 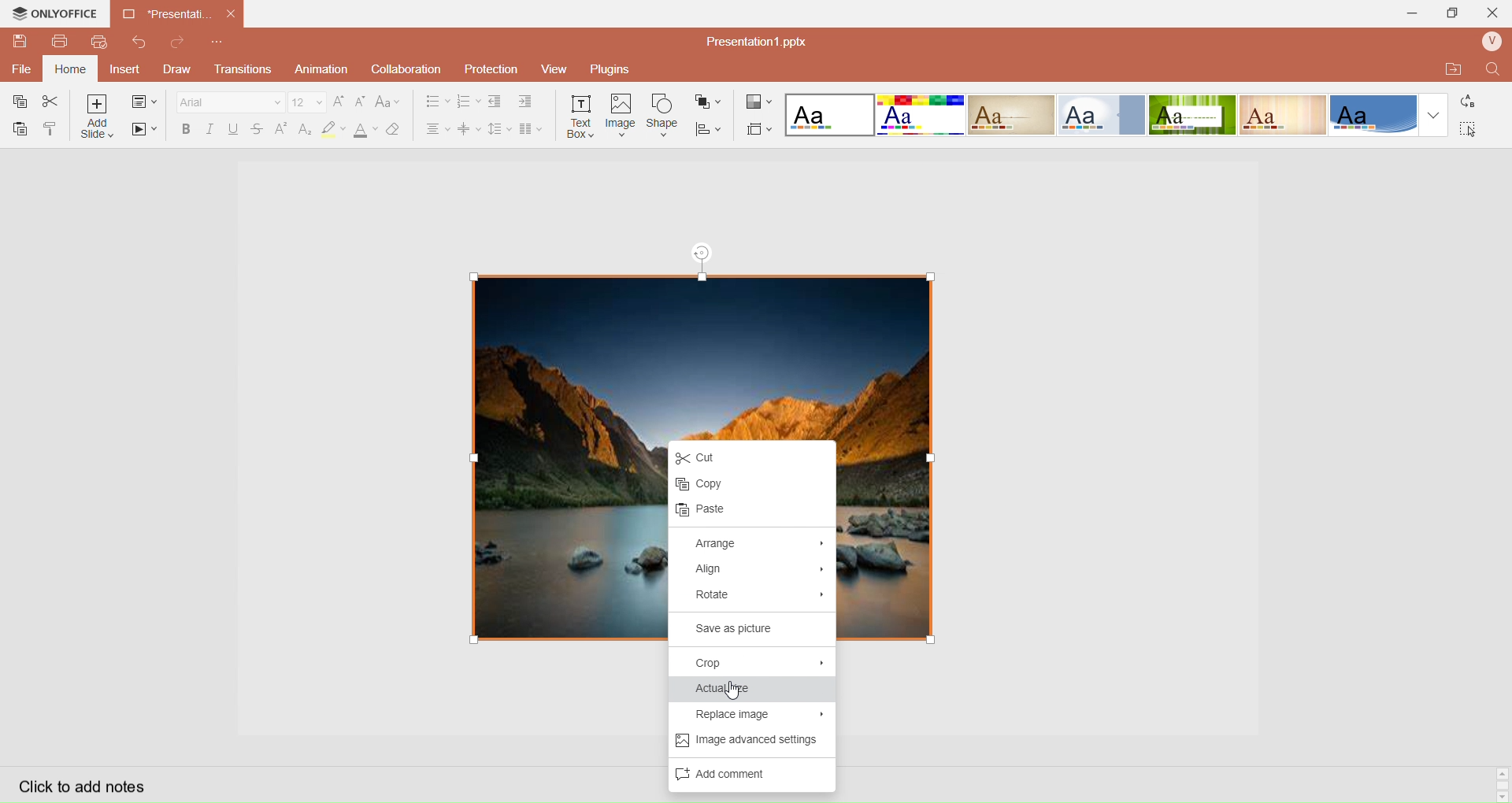 I want to click on View, so click(x=556, y=70).